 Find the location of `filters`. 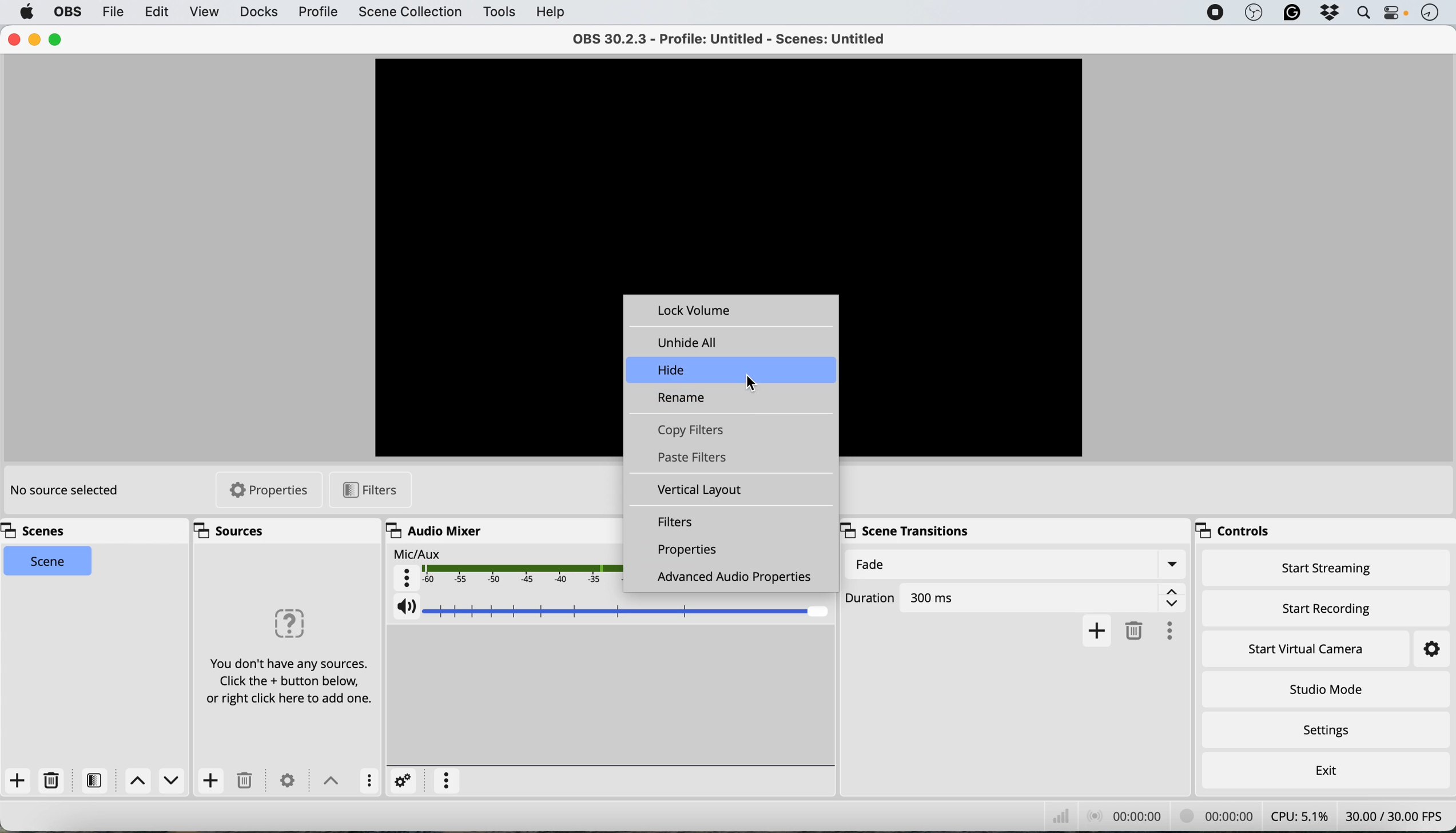

filters is located at coordinates (96, 780).